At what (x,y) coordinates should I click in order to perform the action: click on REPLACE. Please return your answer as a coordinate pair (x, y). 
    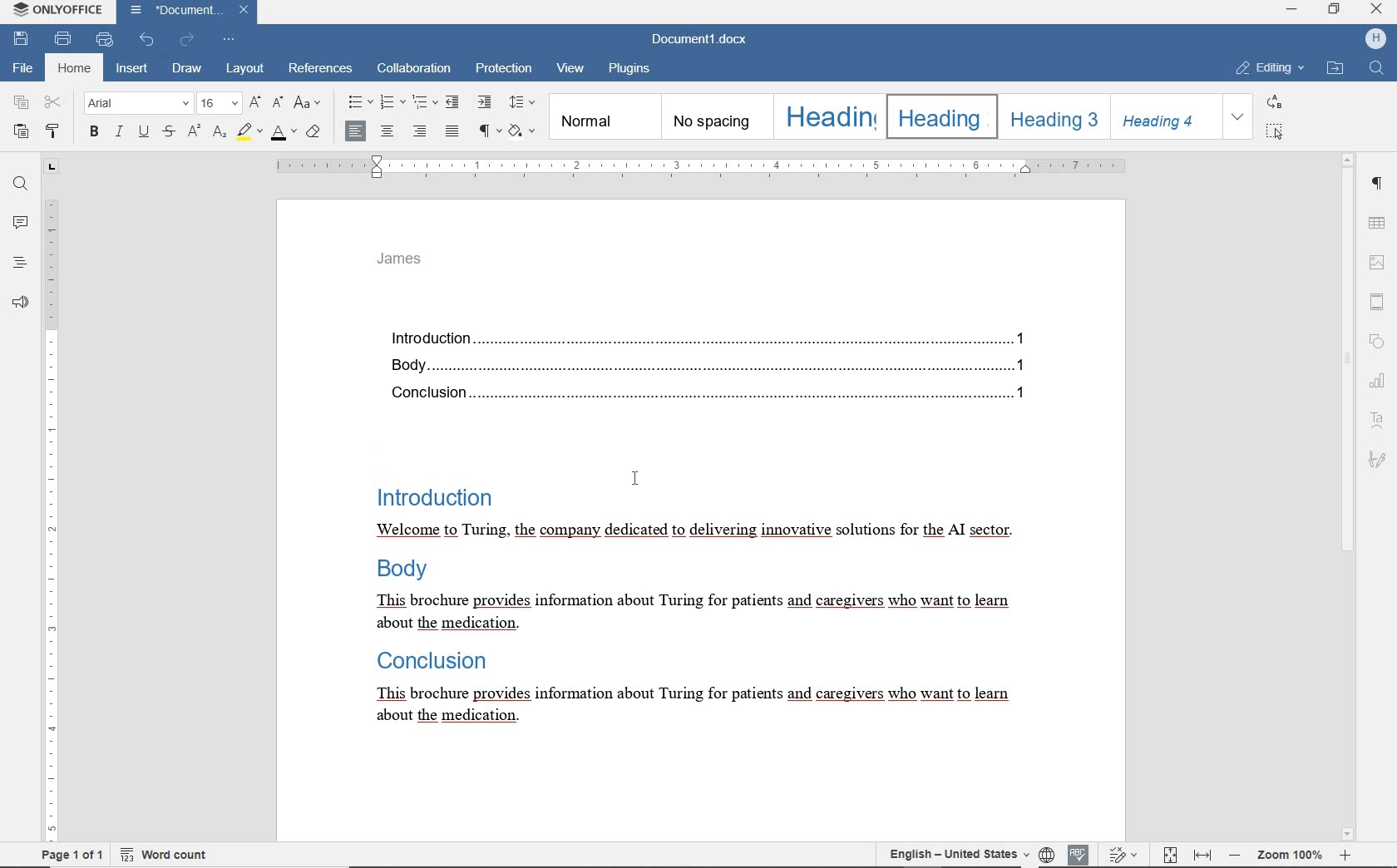
    Looking at the image, I should click on (1275, 101).